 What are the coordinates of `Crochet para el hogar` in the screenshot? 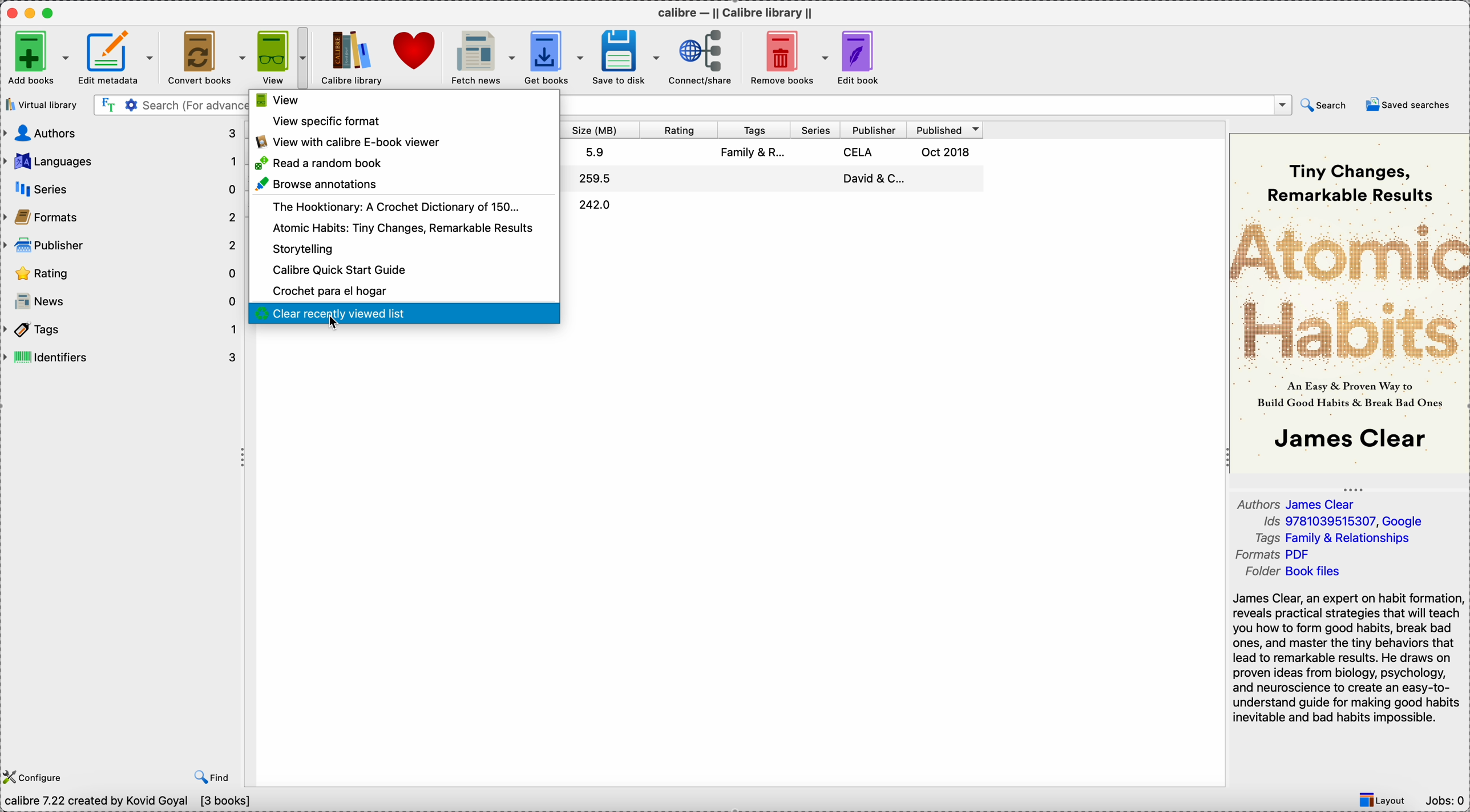 It's located at (330, 292).